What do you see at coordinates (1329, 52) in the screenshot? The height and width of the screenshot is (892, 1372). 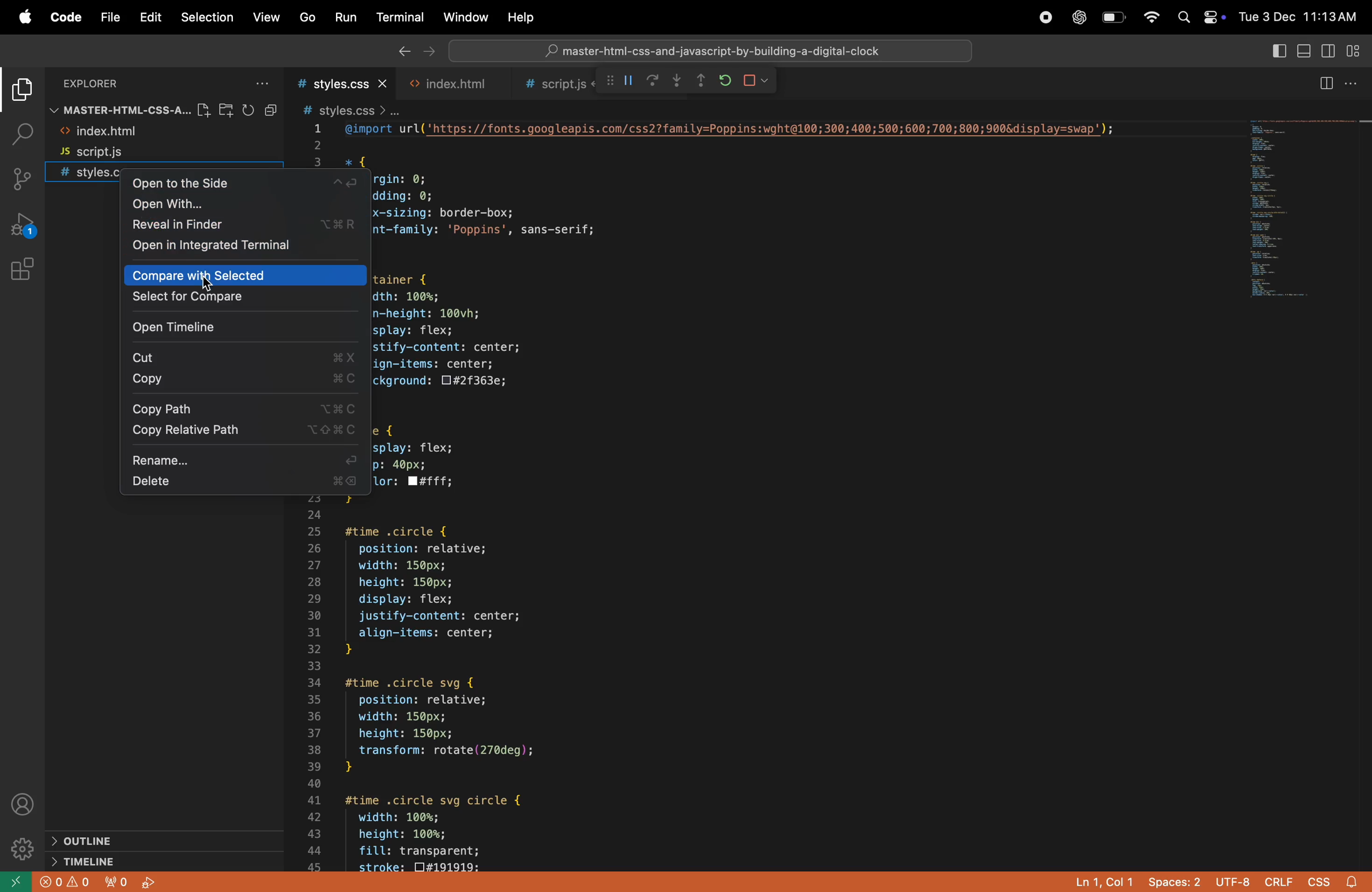 I see `toggle side bar` at bounding box center [1329, 52].